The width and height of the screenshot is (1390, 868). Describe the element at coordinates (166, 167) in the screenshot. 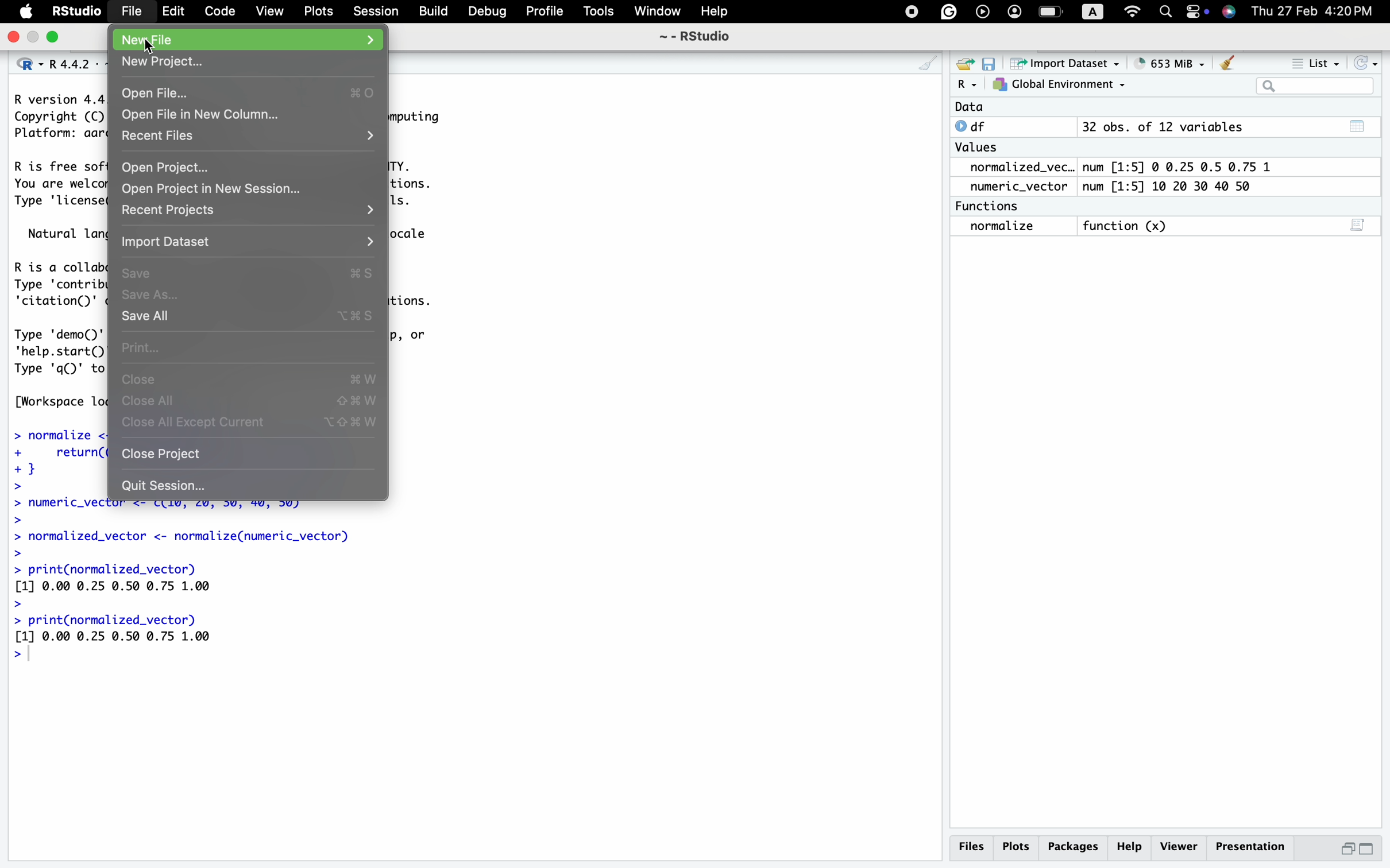

I see `Open Project` at that location.